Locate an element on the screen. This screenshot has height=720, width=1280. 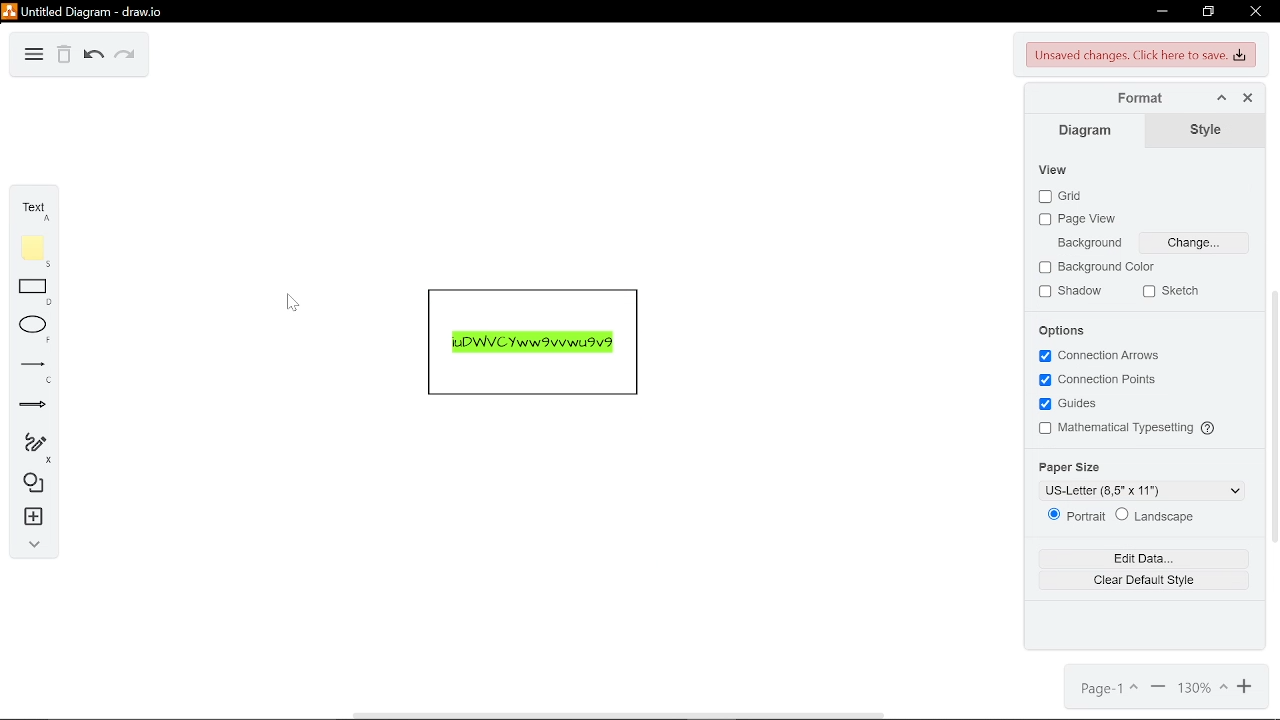
clear default style is located at coordinates (1142, 558).